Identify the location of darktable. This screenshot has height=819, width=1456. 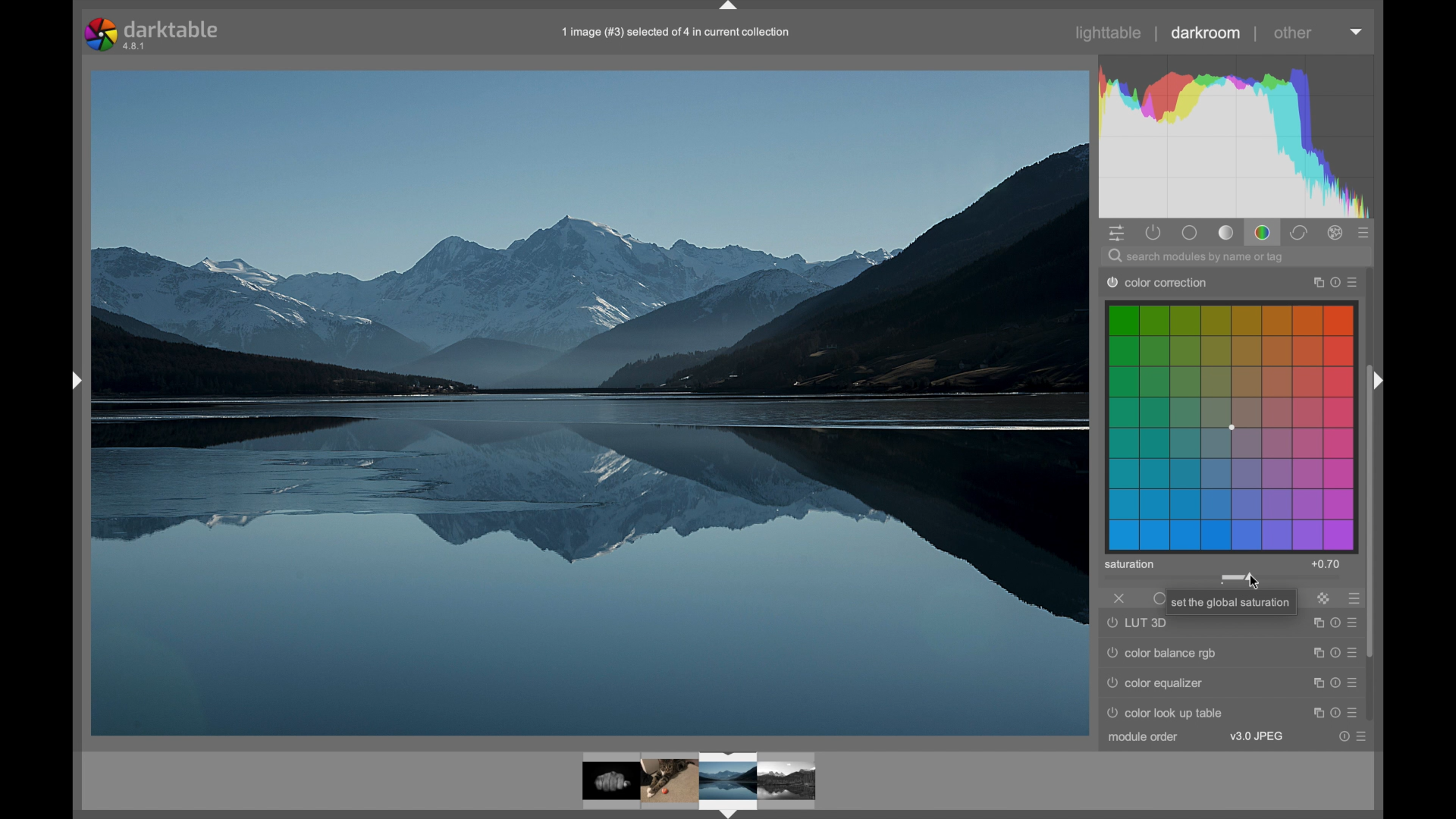
(154, 35).